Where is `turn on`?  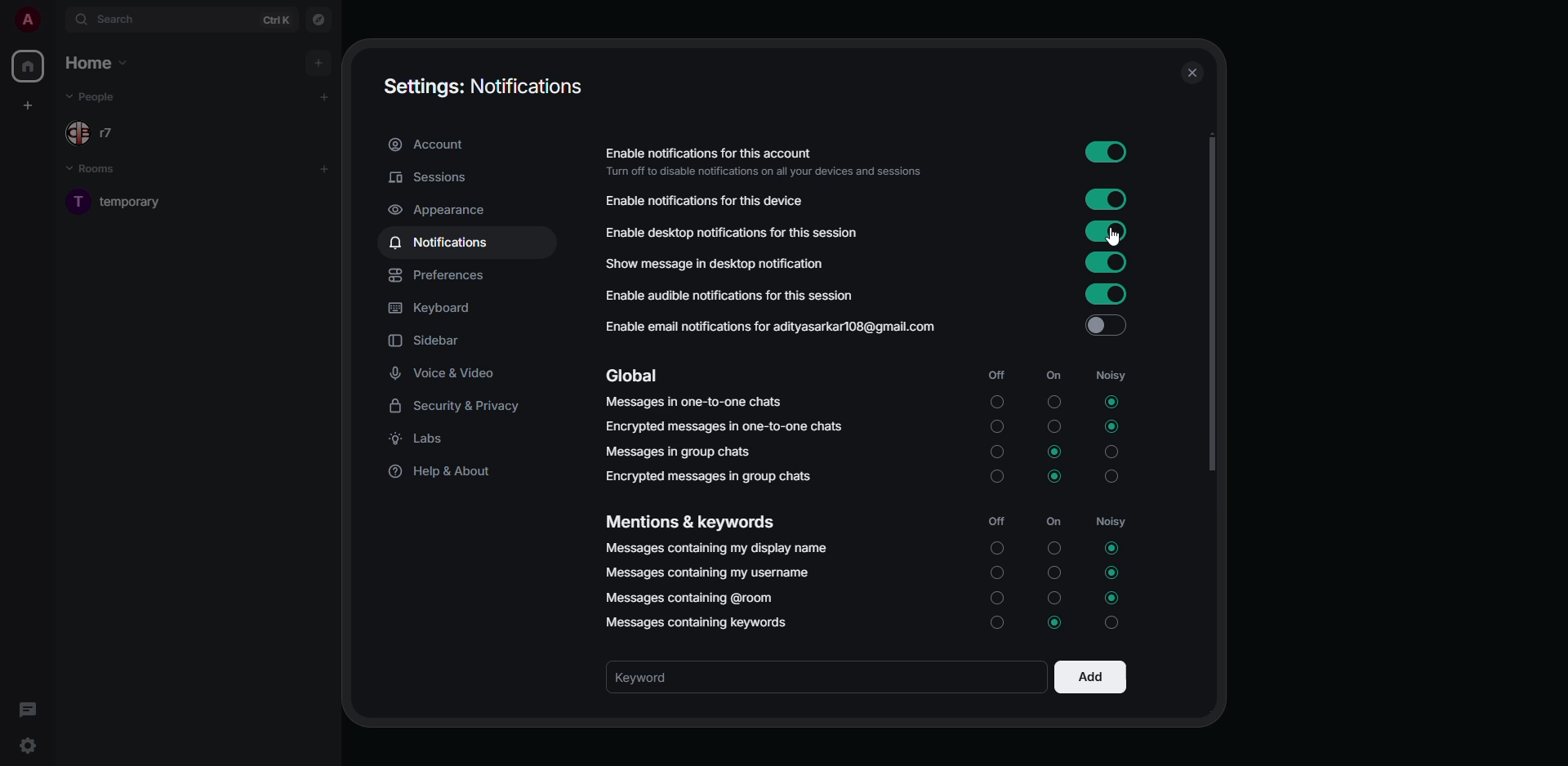
turn on is located at coordinates (996, 400).